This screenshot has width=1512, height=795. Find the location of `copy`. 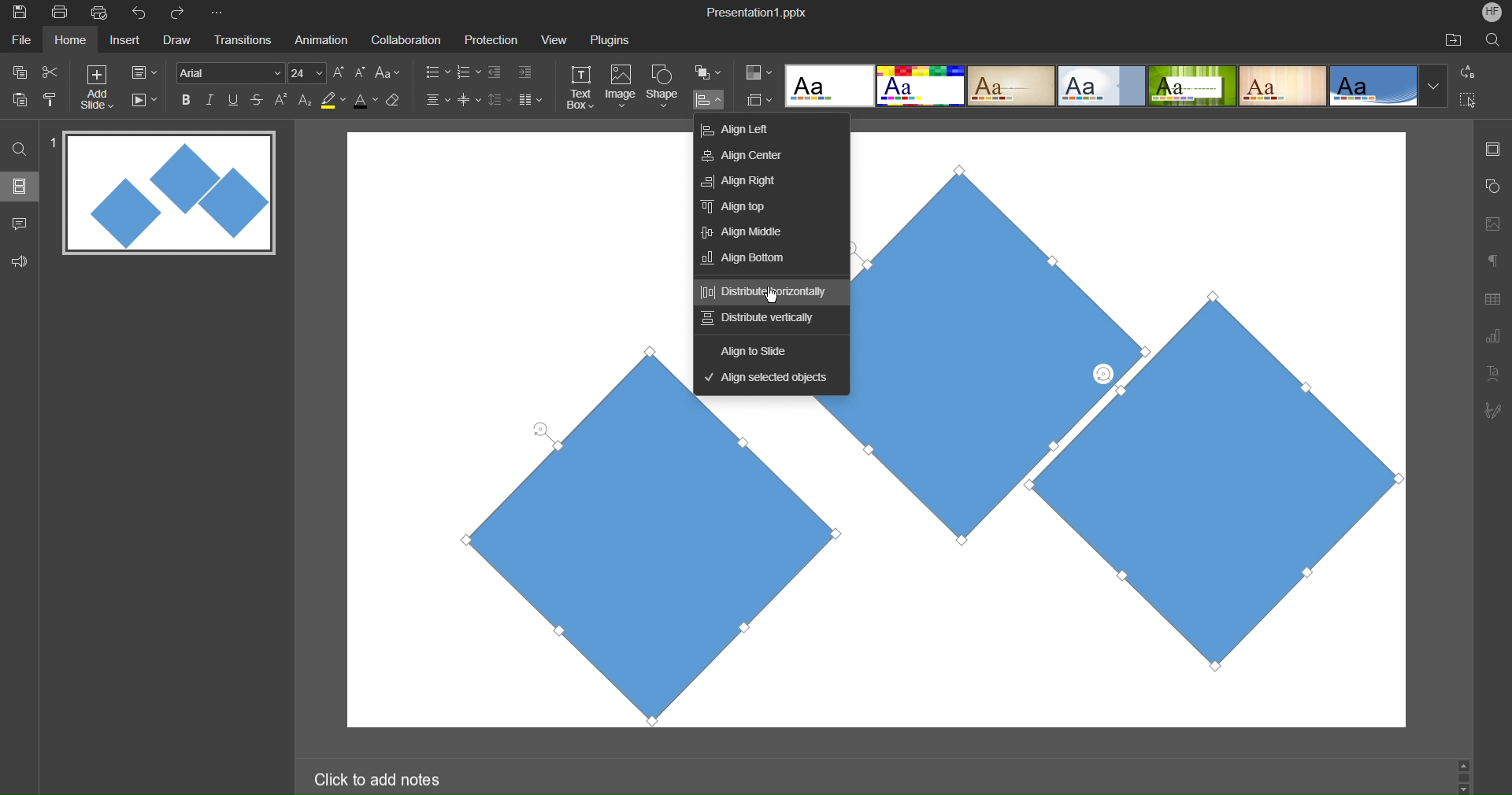

copy is located at coordinates (17, 72).